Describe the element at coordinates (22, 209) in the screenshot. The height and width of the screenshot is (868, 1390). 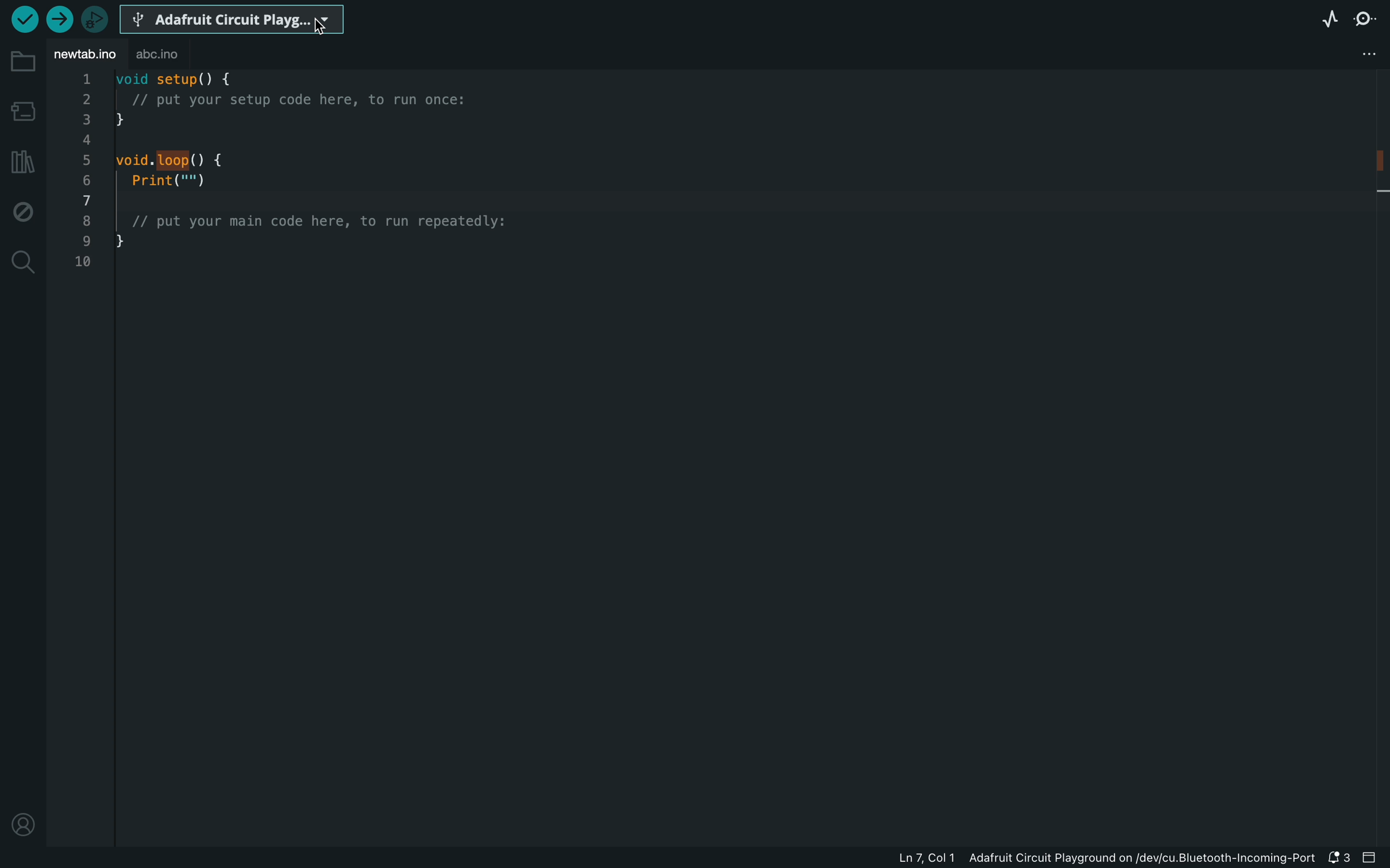
I see `debug` at that location.